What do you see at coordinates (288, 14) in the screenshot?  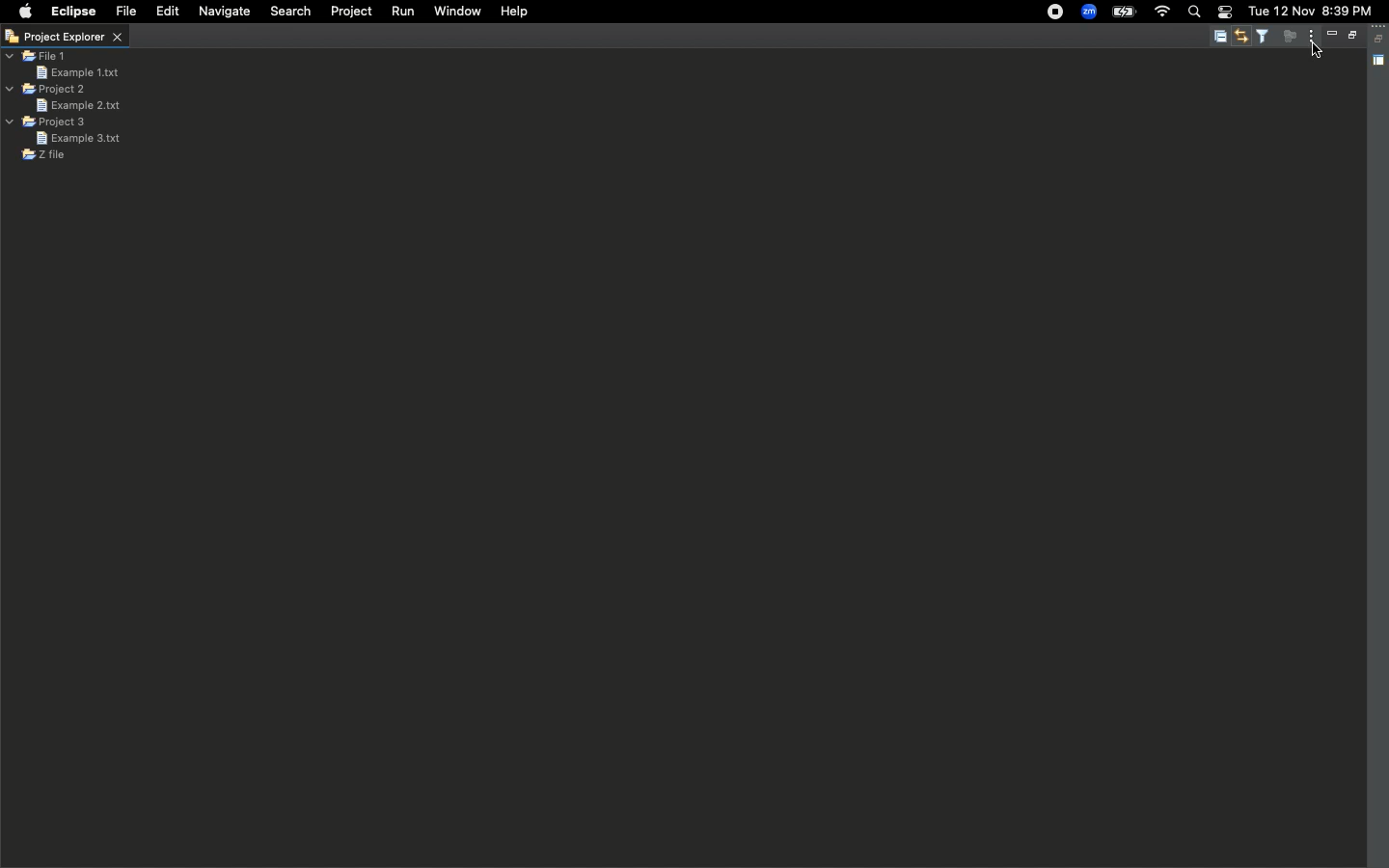 I see `Search` at bounding box center [288, 14].